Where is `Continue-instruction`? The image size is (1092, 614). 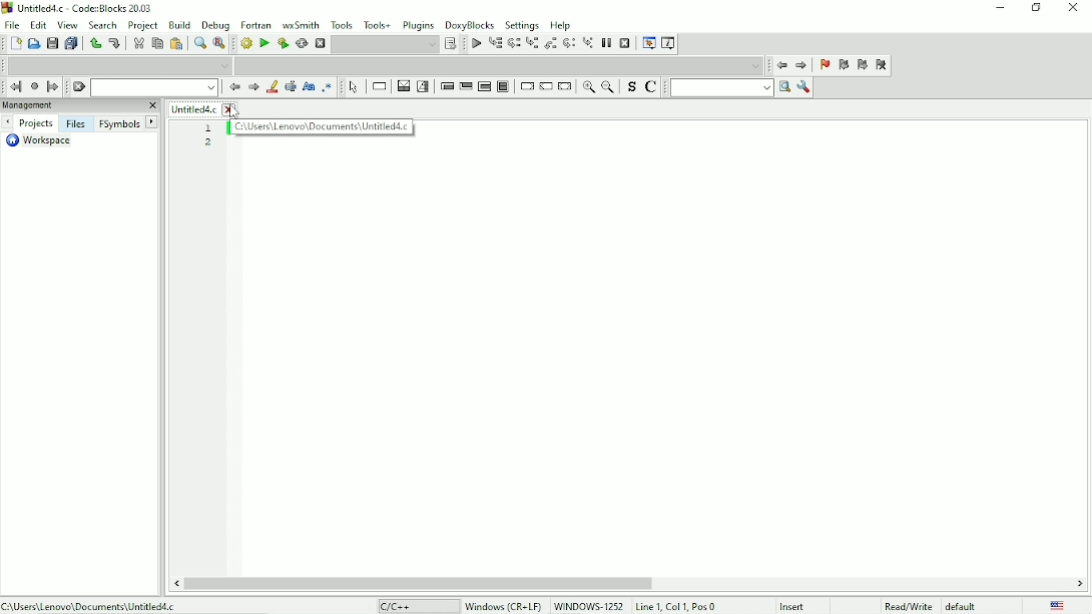 Continue-instruction is located at coordinates (546, 88).